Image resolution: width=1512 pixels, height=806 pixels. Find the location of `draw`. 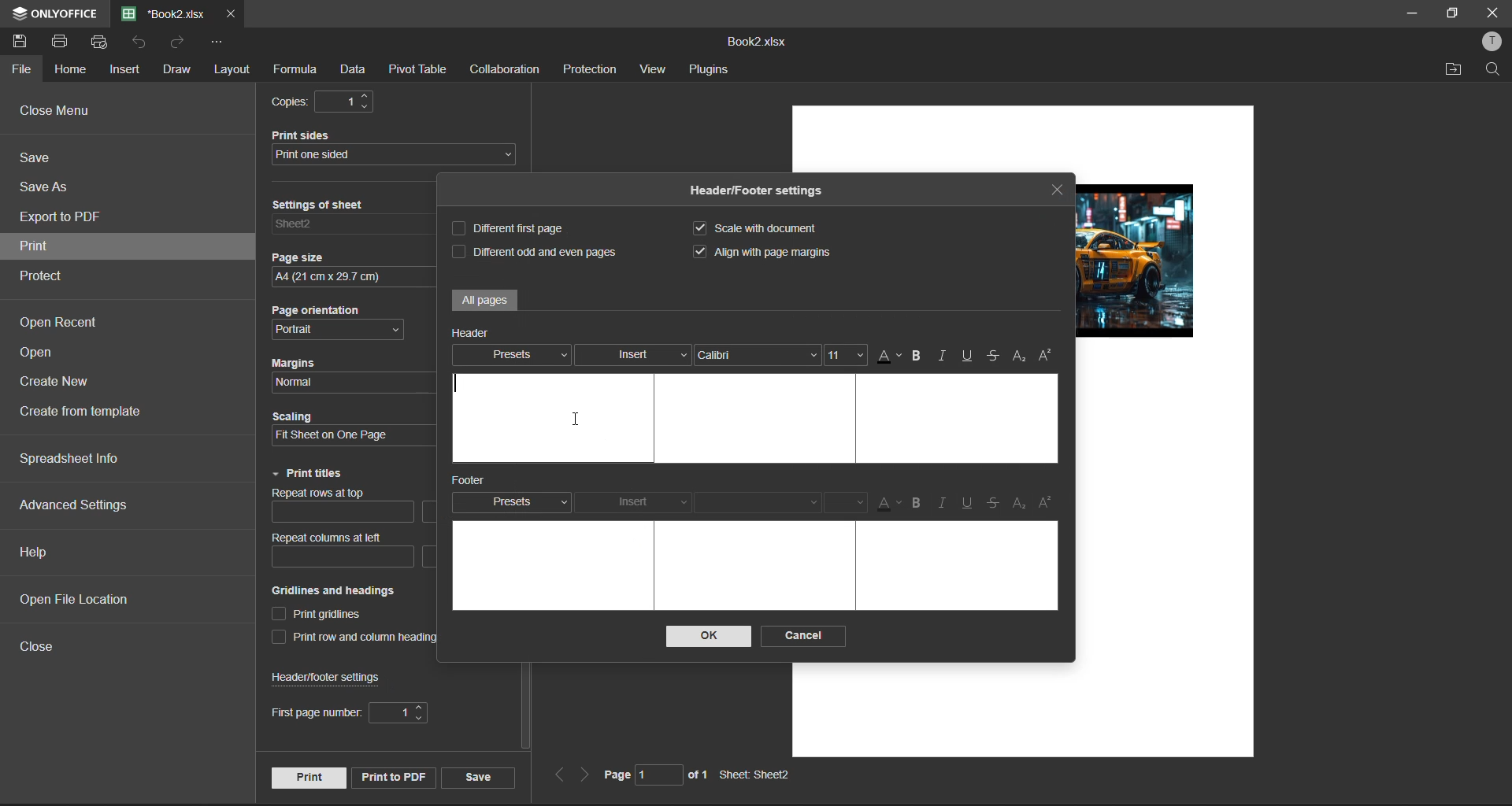

draw is located at coordinates (176, 68).